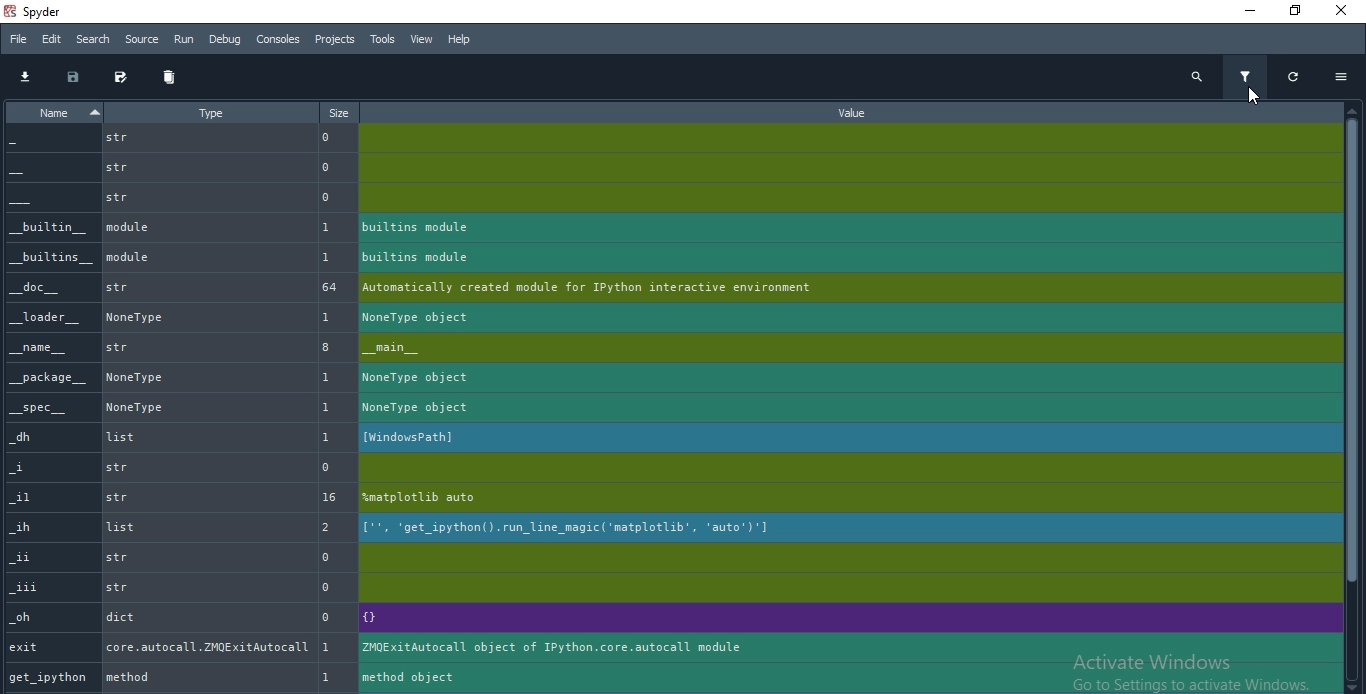 This screenshot has width=1366, height=694. I want to click on filtered information, so click(668, 399).